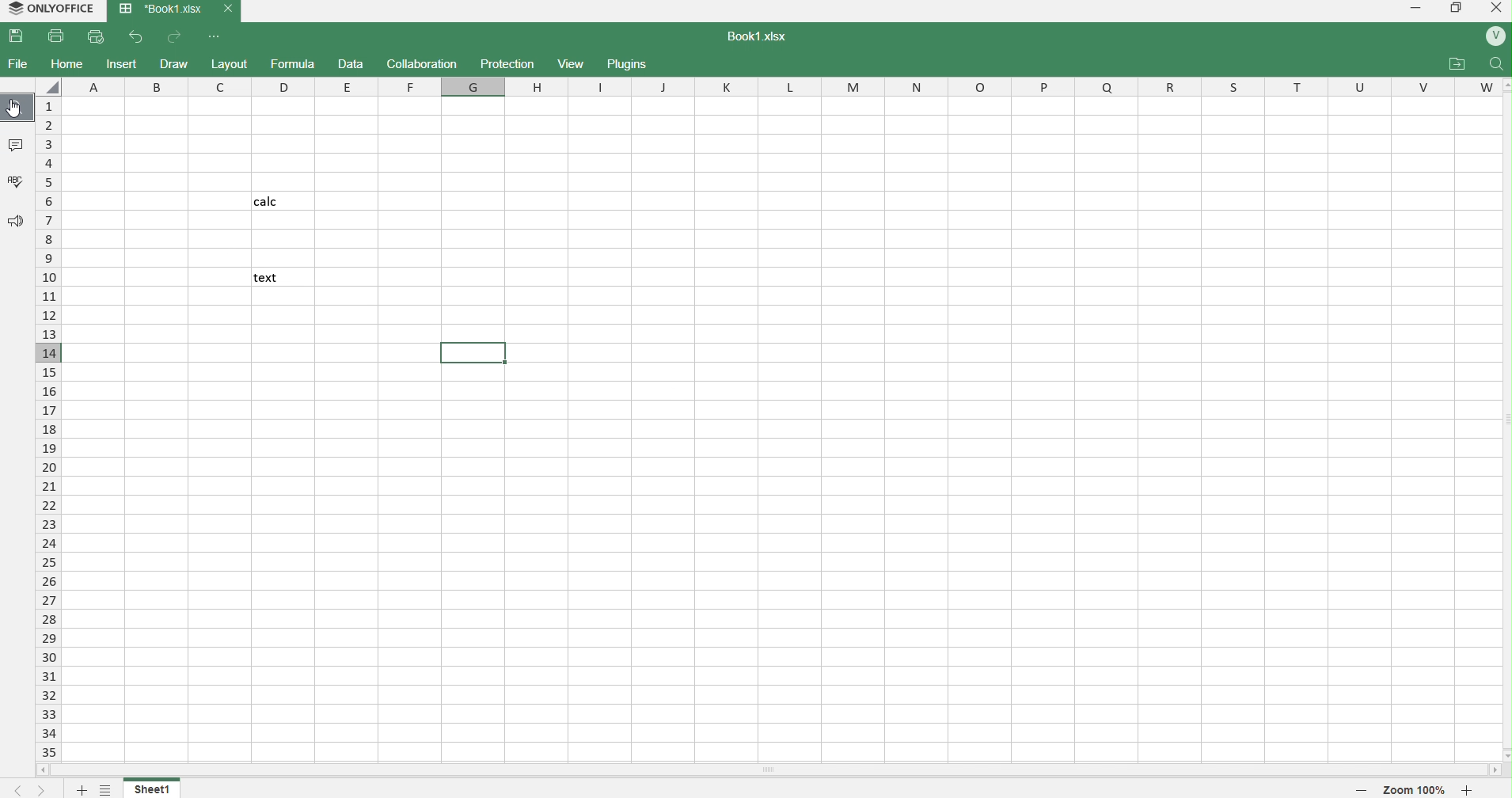 This screenshot has width=1512, height=798. I want to click on print, so click(60, 36).